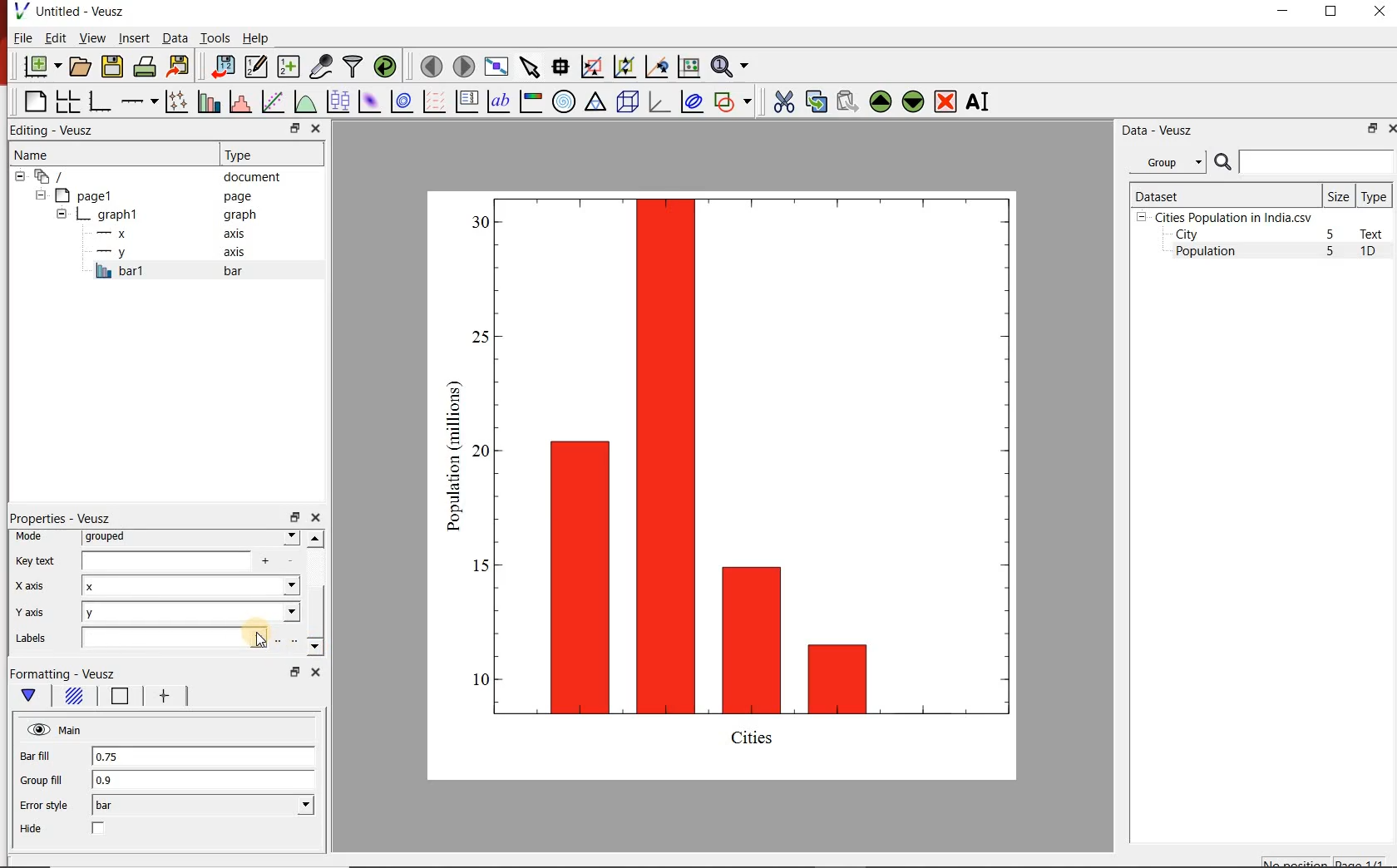 The width and height of the screenshot is (1397, 868). What do you see at coordinates (1375, 195) in the screenshot?
I see `Type` at bounding box center [1375, 195].